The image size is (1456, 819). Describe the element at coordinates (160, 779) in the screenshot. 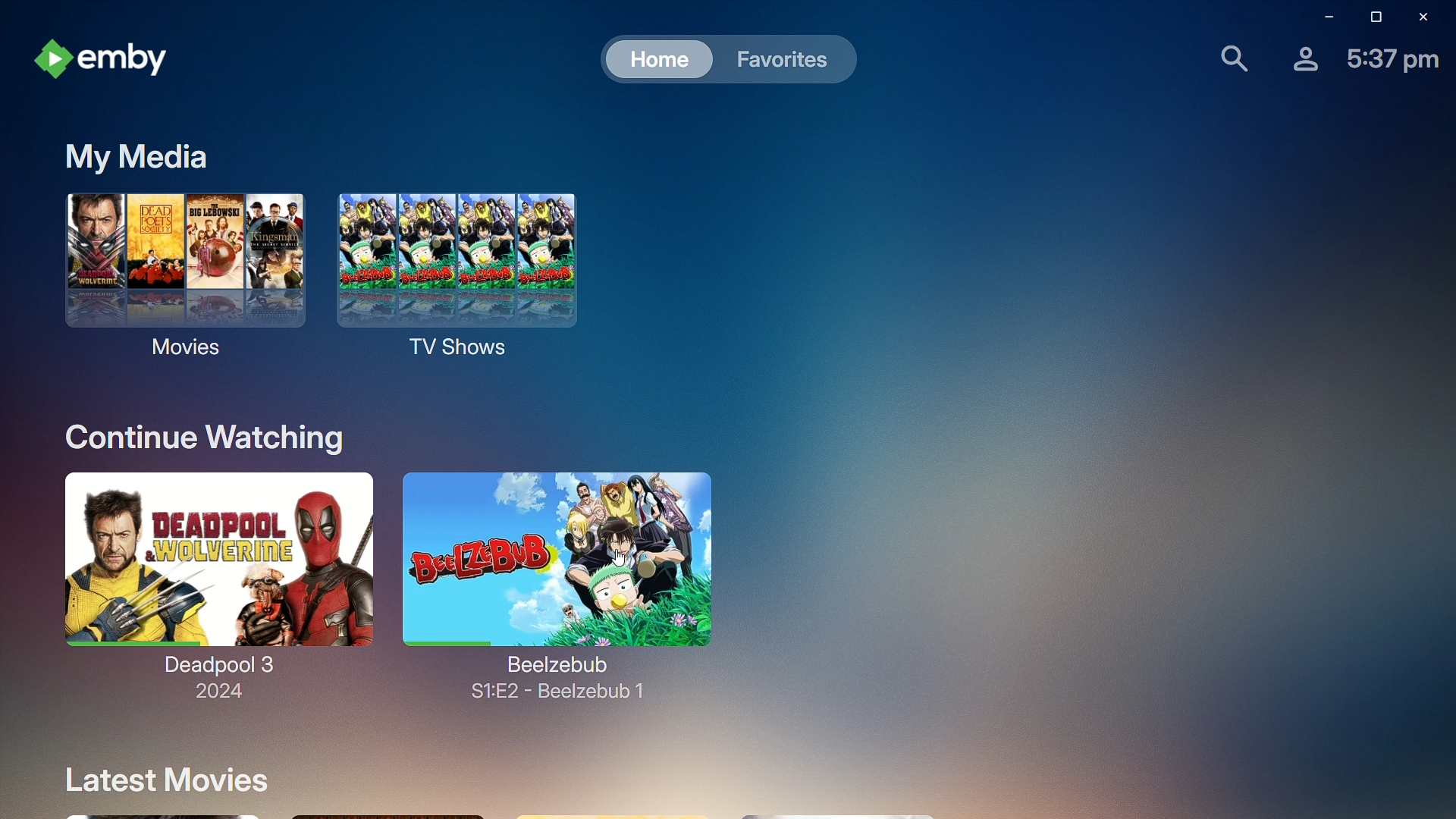

I see `Latest Movies` at that location.